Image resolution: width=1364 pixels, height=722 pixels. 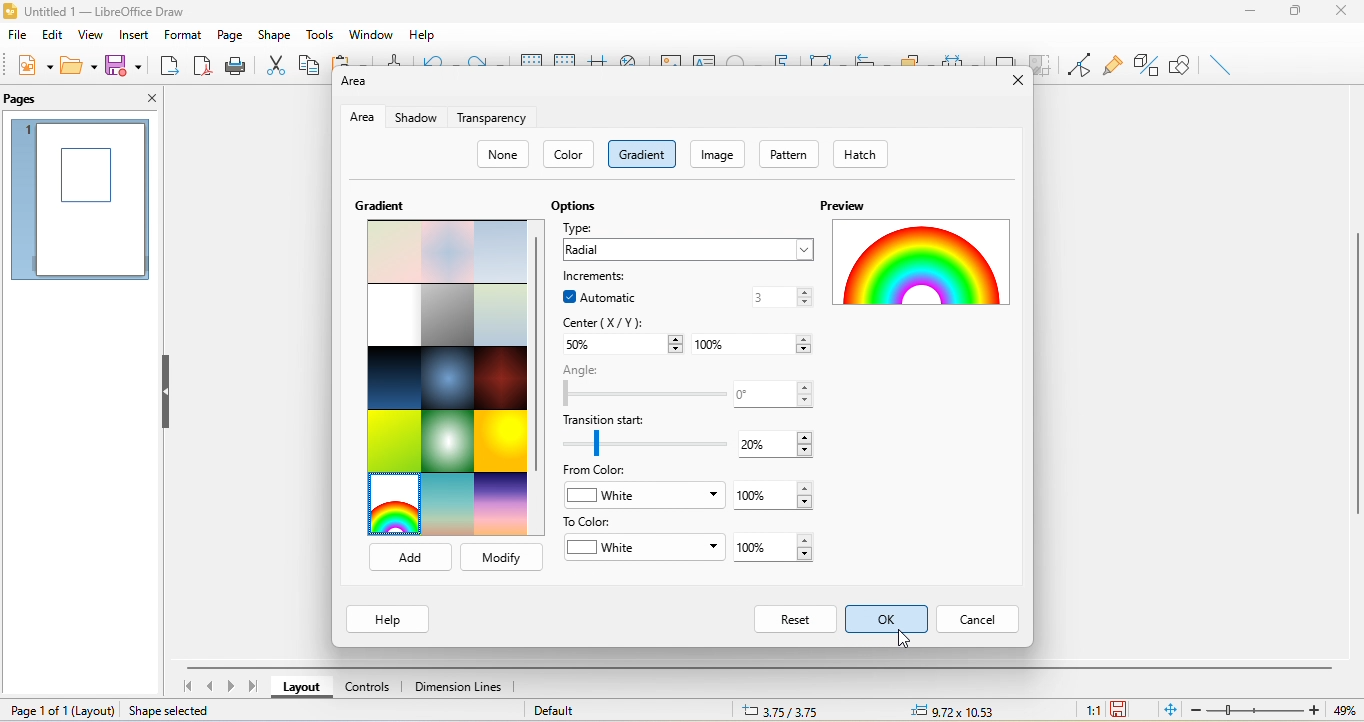 I want to click on 100%, so click(x=774, y=494).